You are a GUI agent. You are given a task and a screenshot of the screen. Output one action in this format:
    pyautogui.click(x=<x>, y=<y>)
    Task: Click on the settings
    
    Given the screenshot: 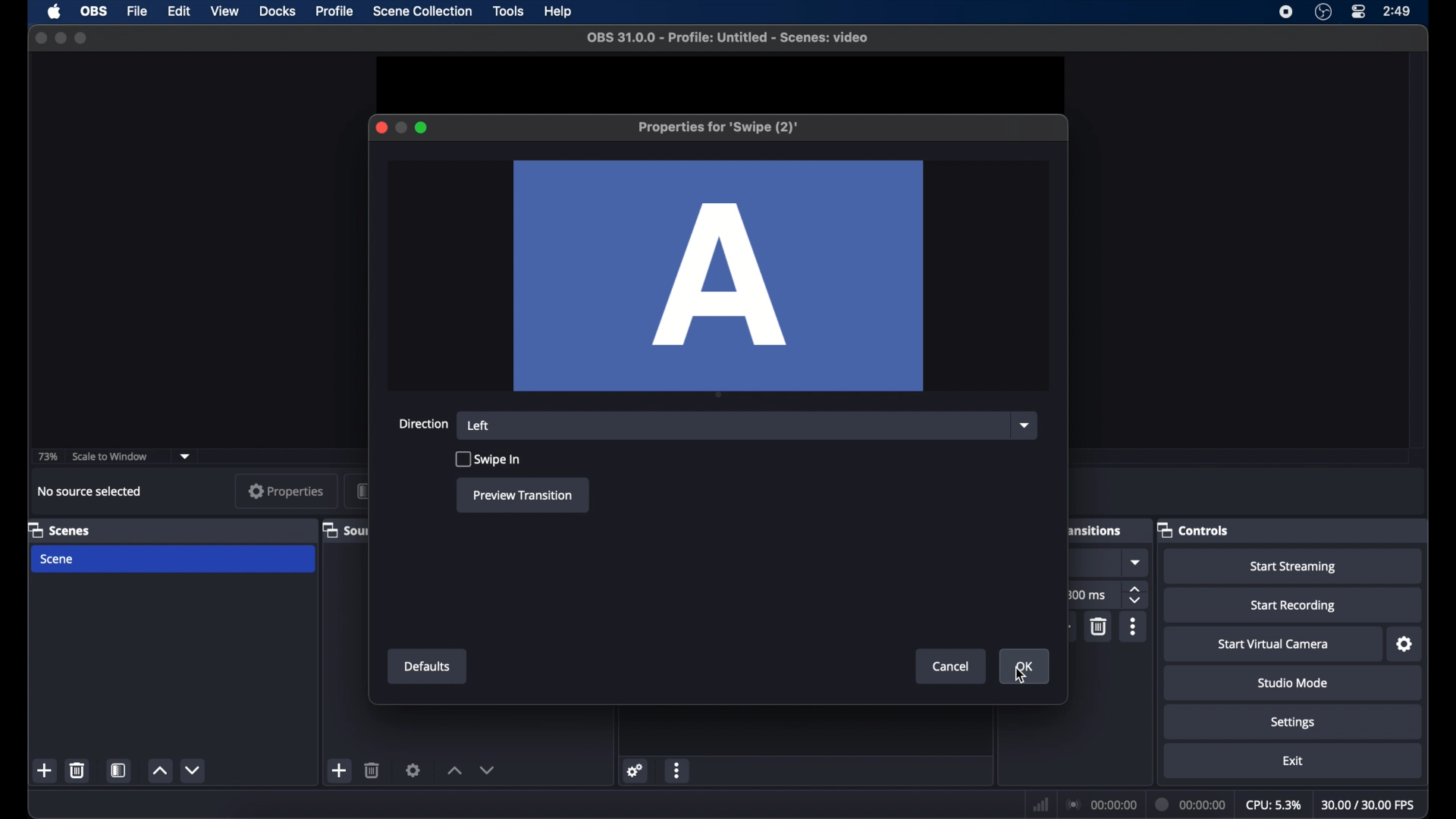 What is the action you would take?
    pyautogui.click(x=1406, y=645)
    